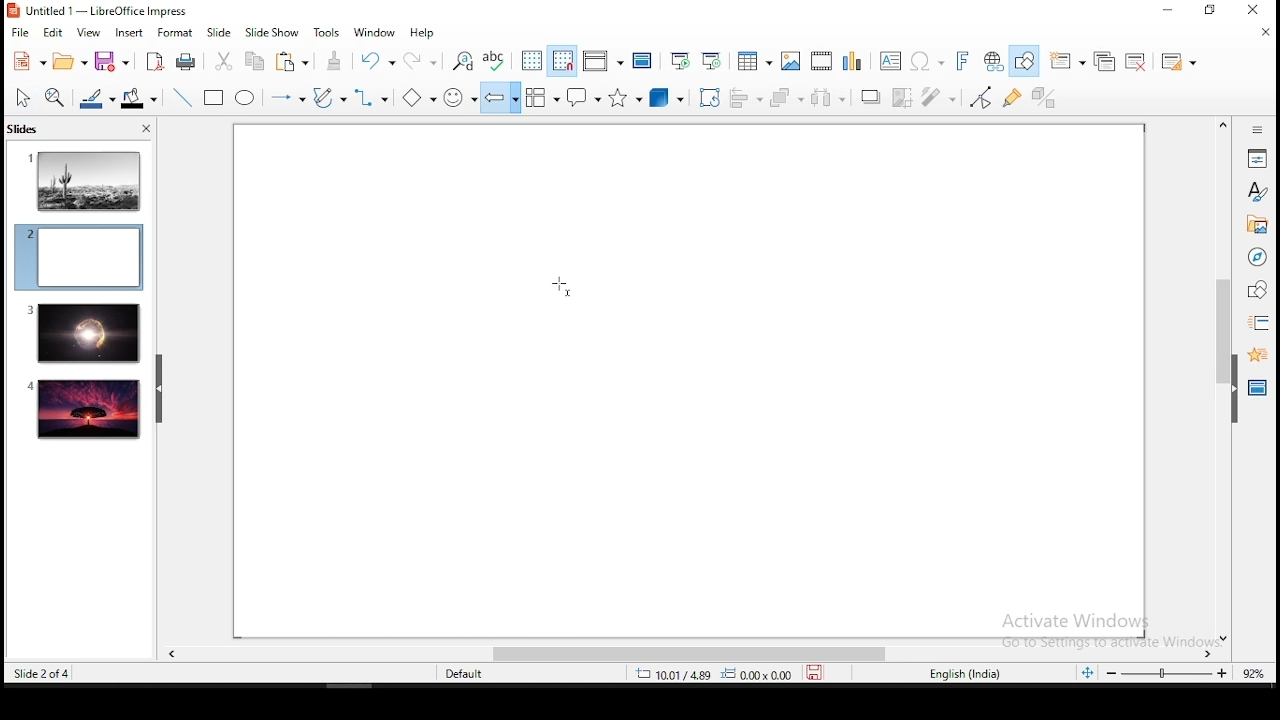 Image resolution: width=1280 pixels, height=720 pixels. What do you see at coordinates (830, 98) in the screenshot?
I see `distribute` at bounding box center [830, 98].